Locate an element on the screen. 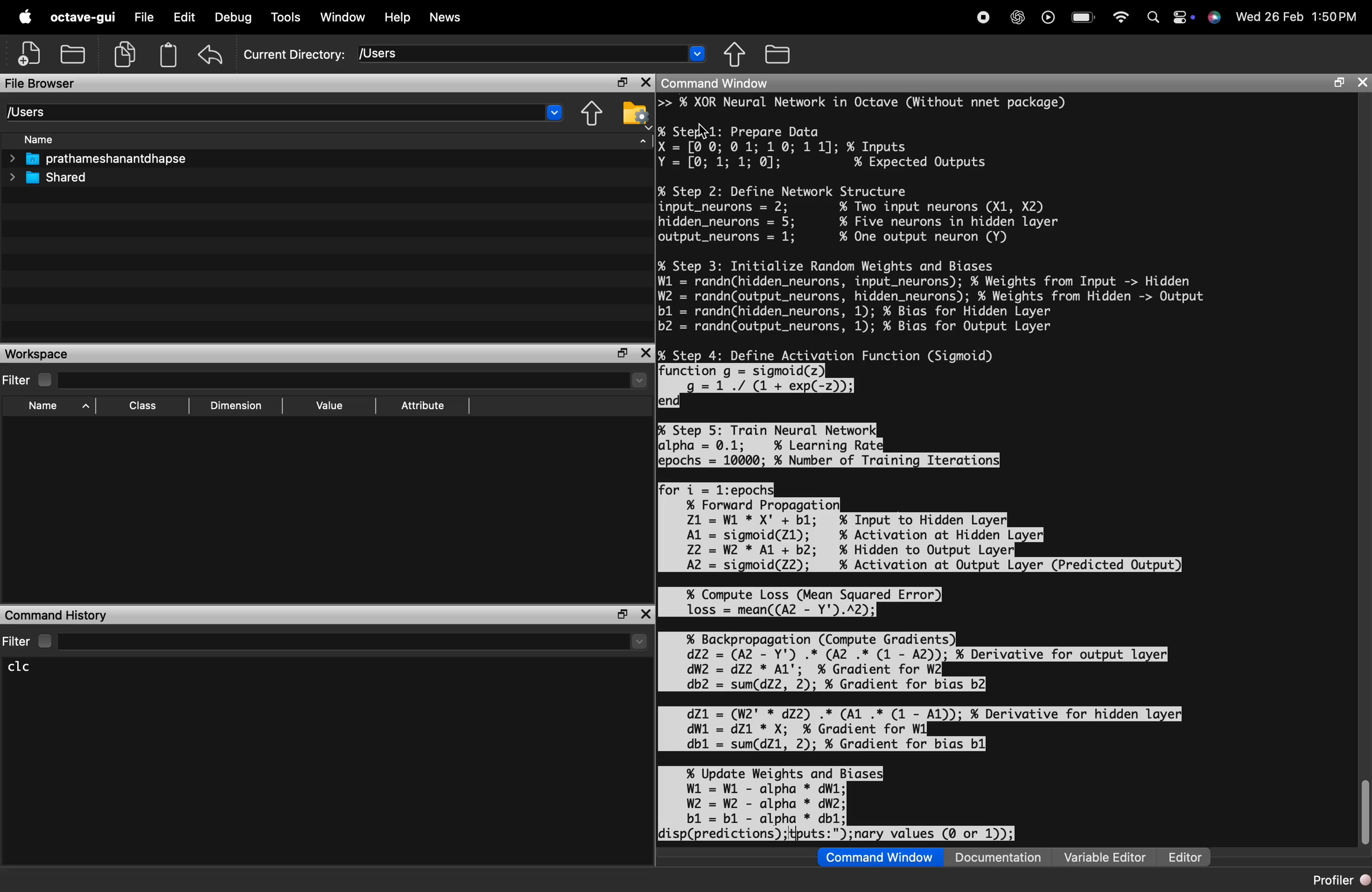 This screenshot has height=892, width=1372. Window is located at coordinates (344, 17).